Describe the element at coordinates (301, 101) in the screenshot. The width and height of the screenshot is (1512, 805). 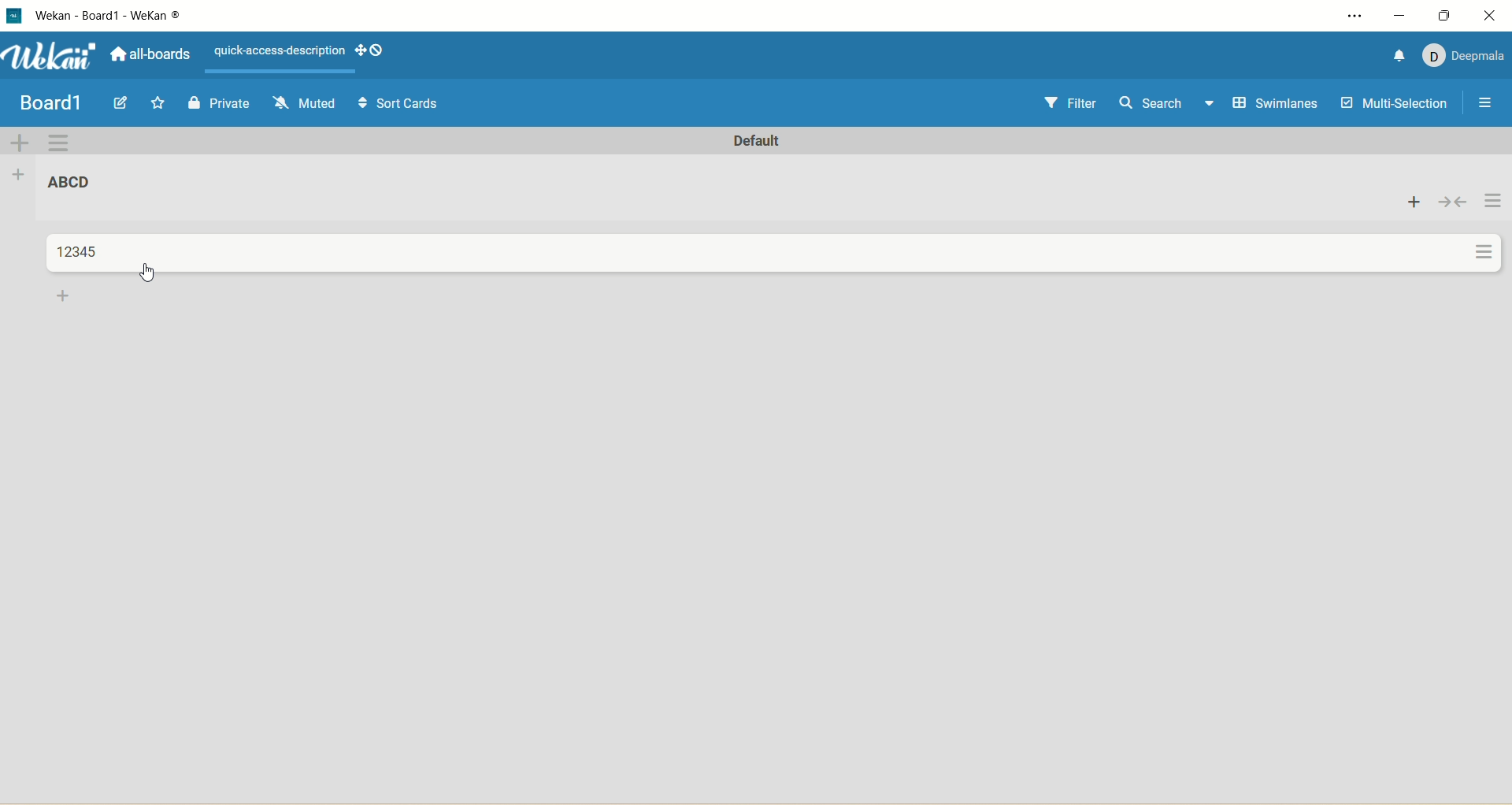
I see `muted` at that location.